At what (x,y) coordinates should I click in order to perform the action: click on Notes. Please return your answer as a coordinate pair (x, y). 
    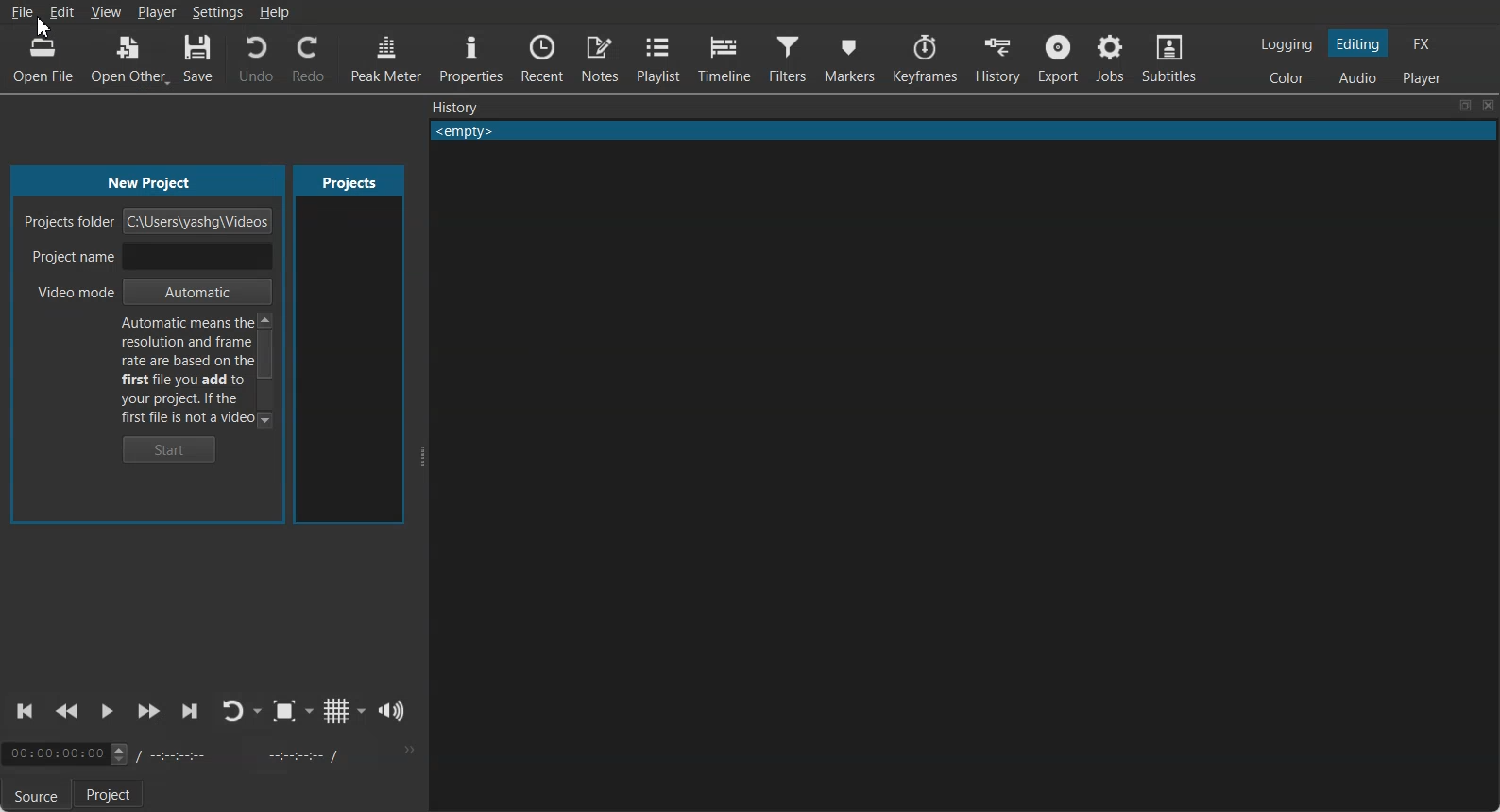
    Looking at the image, I should click on (600, 58).